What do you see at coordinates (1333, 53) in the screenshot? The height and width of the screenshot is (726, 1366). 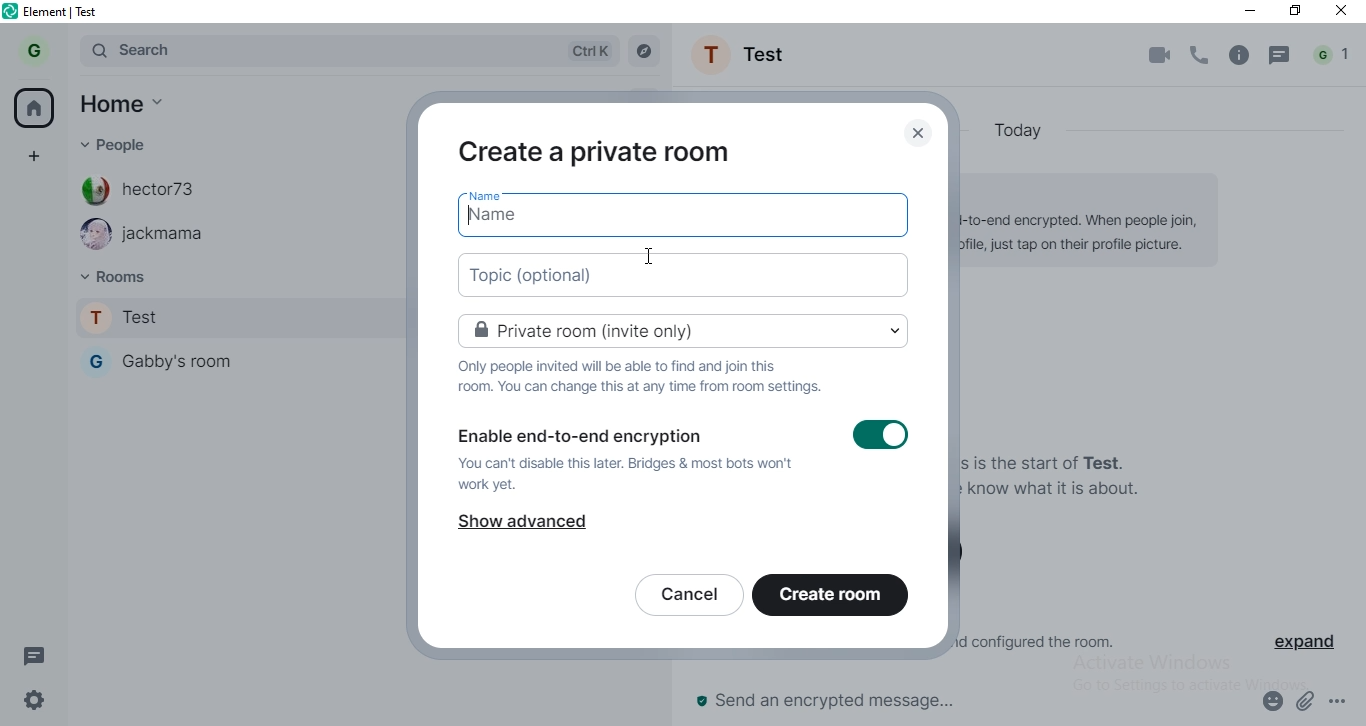 I see `notification` at bounding box center [1333, 53].